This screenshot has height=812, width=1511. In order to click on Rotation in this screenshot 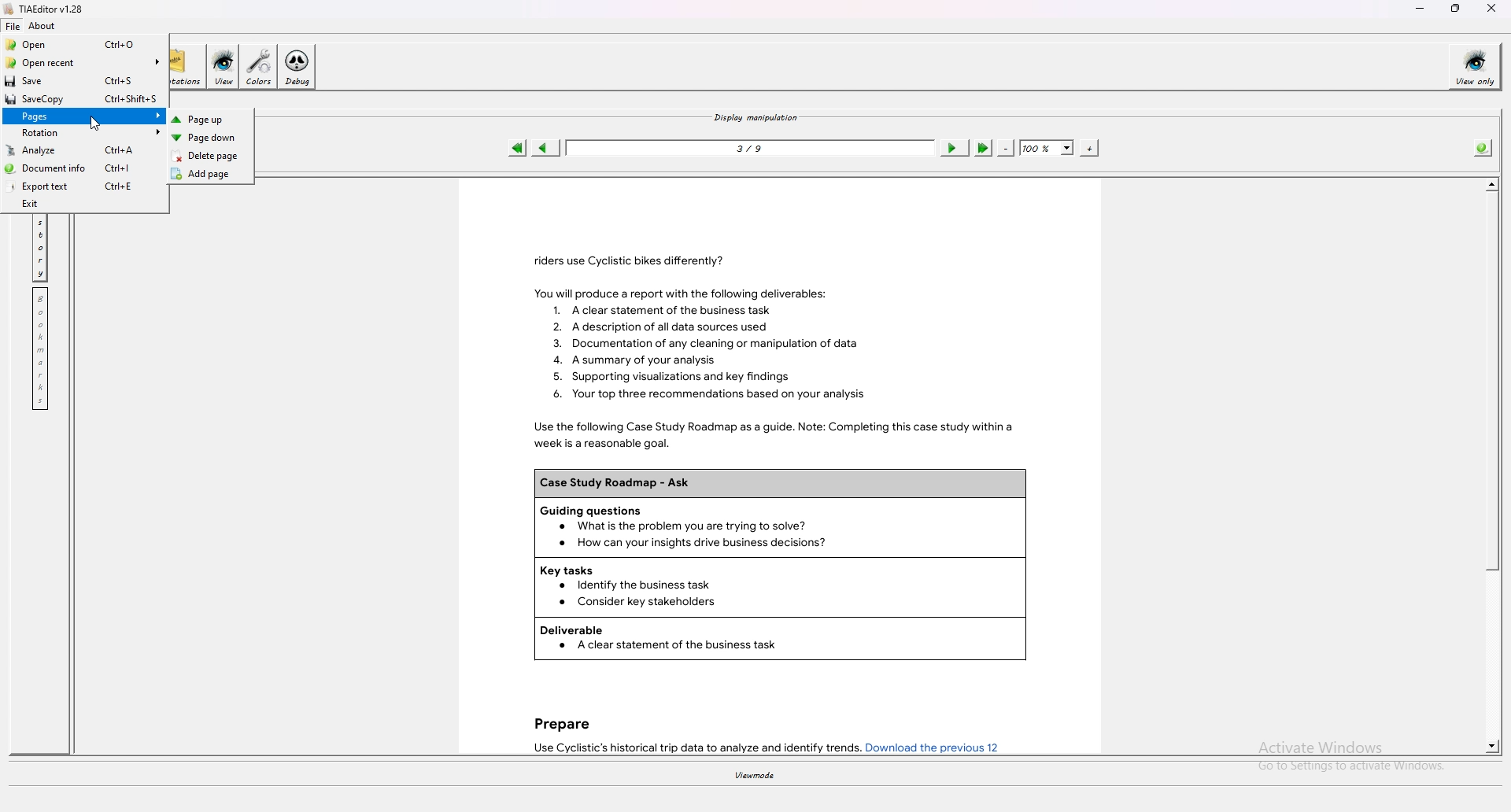, I will do `click(87, 133)`.